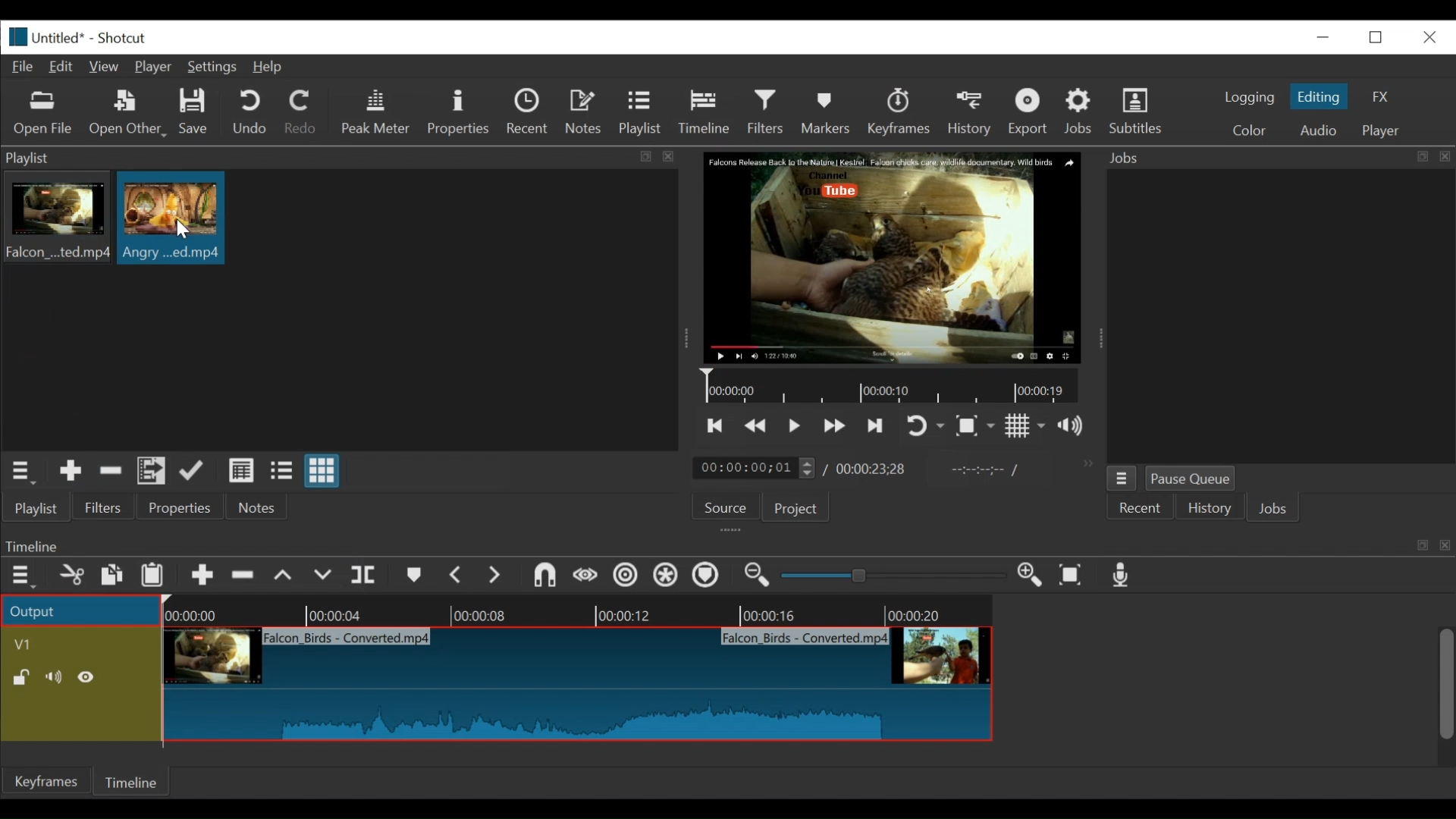 The height and width of the screenshot is (819, 1456). What do you see at coordinates (43, 114) in the screenshot?
I see `Open file` at bounding box center [43, 114].